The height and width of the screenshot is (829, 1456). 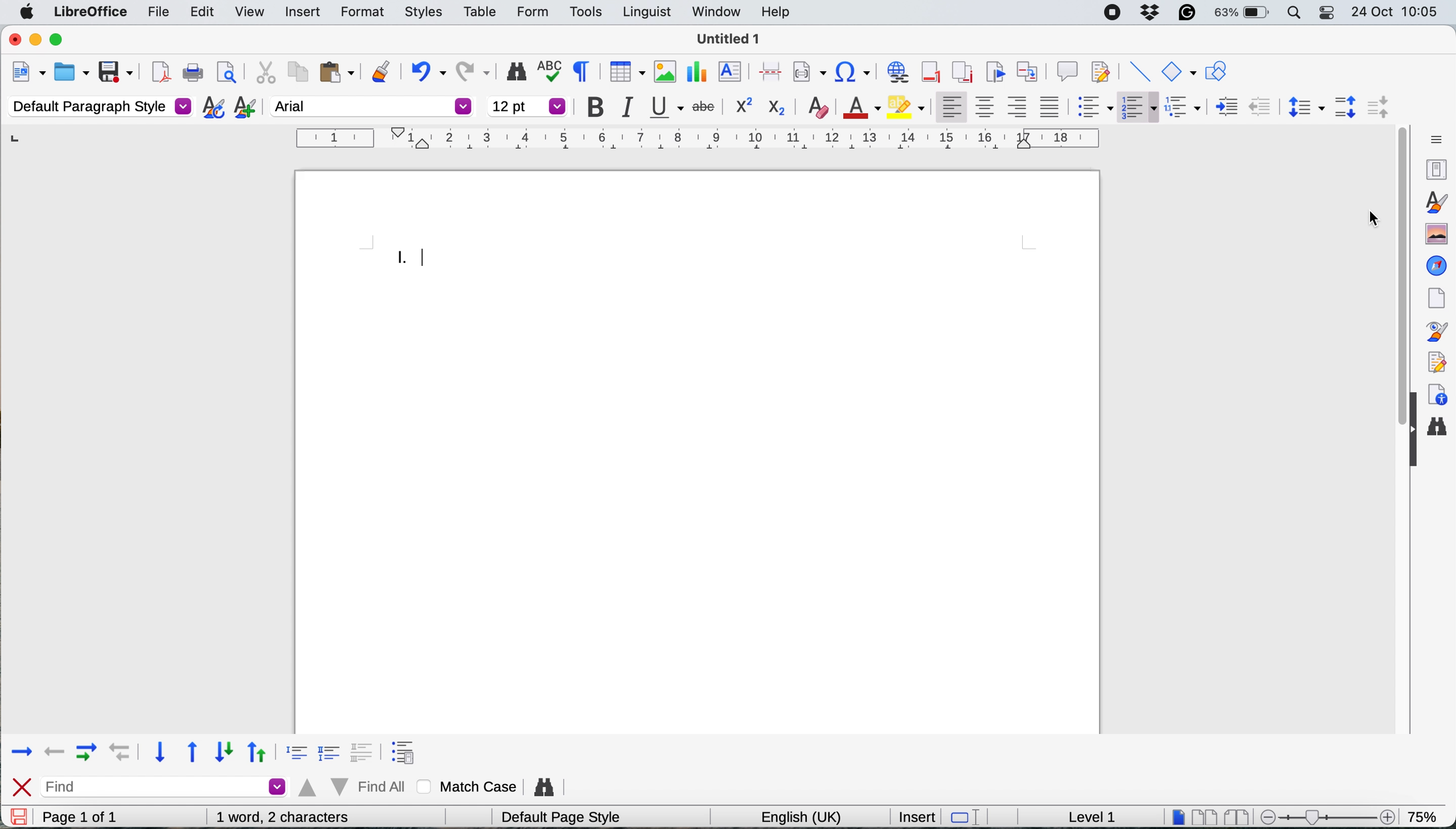 I want to click on italic, so click(x=633, y=108).